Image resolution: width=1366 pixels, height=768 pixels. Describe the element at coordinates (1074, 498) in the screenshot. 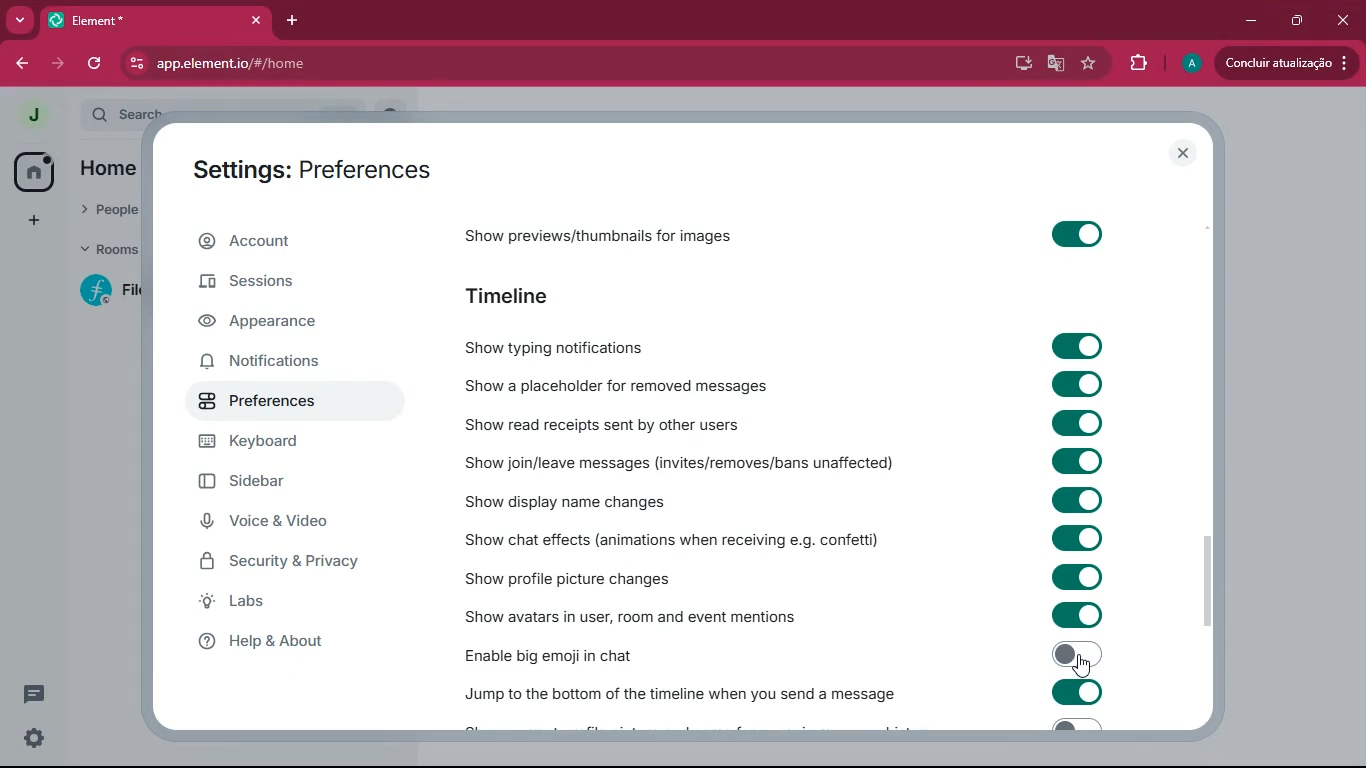

I see `toggle on ` at that location.